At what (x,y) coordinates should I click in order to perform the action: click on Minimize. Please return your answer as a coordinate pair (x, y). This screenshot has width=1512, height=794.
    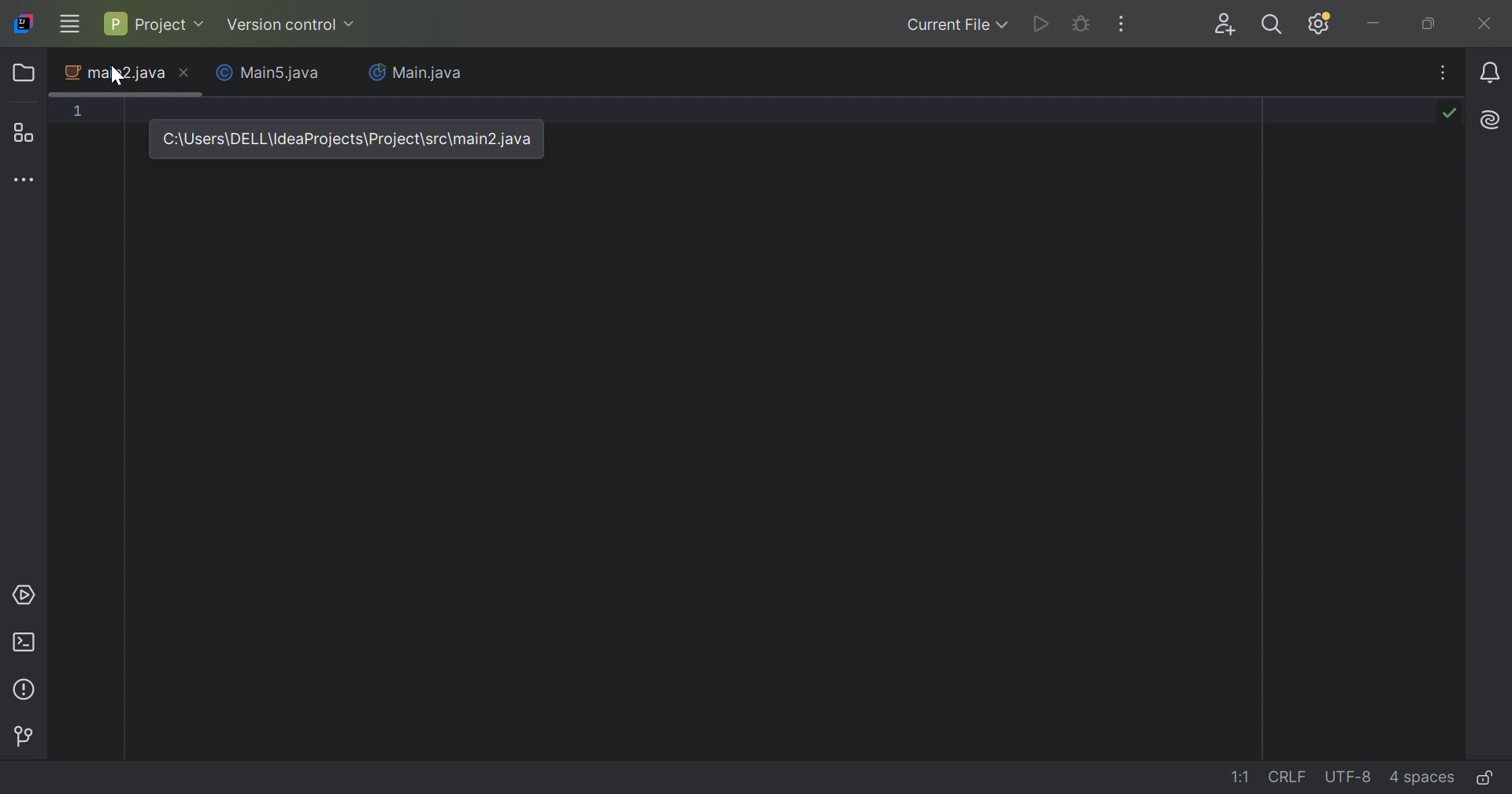
    Looking at the image, I should click on (1374, 24).